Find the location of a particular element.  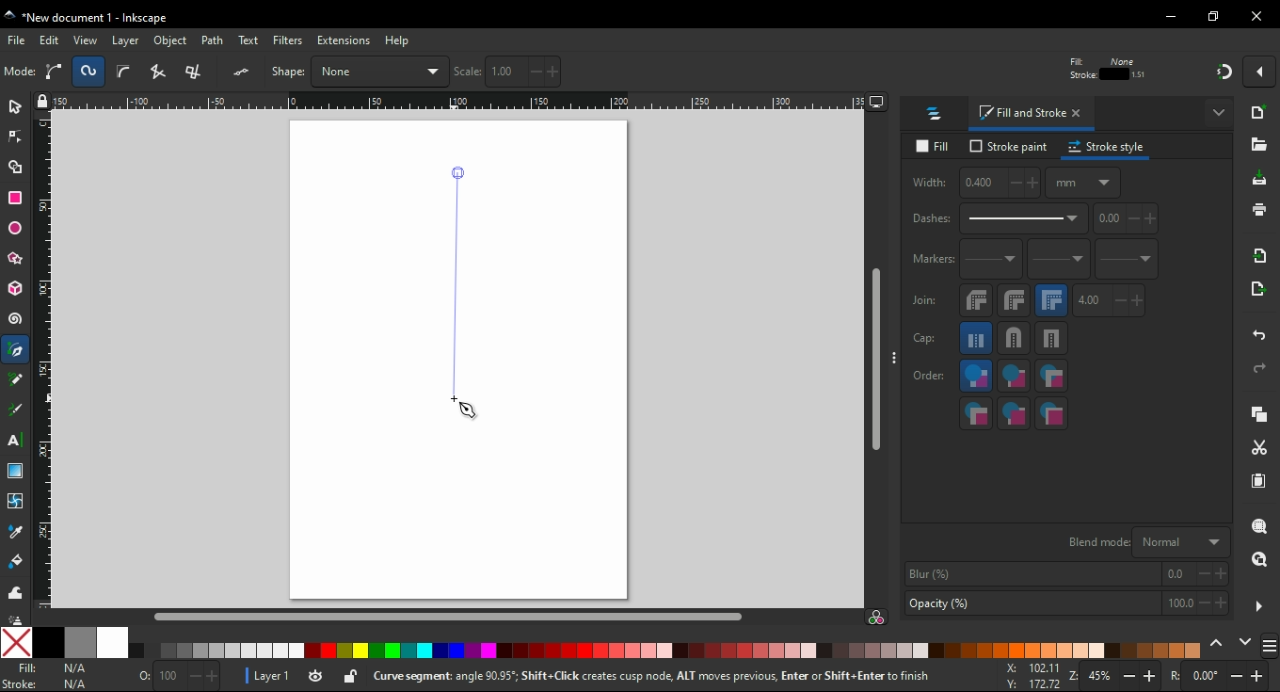

restore is located at coordinates (1216, 16).